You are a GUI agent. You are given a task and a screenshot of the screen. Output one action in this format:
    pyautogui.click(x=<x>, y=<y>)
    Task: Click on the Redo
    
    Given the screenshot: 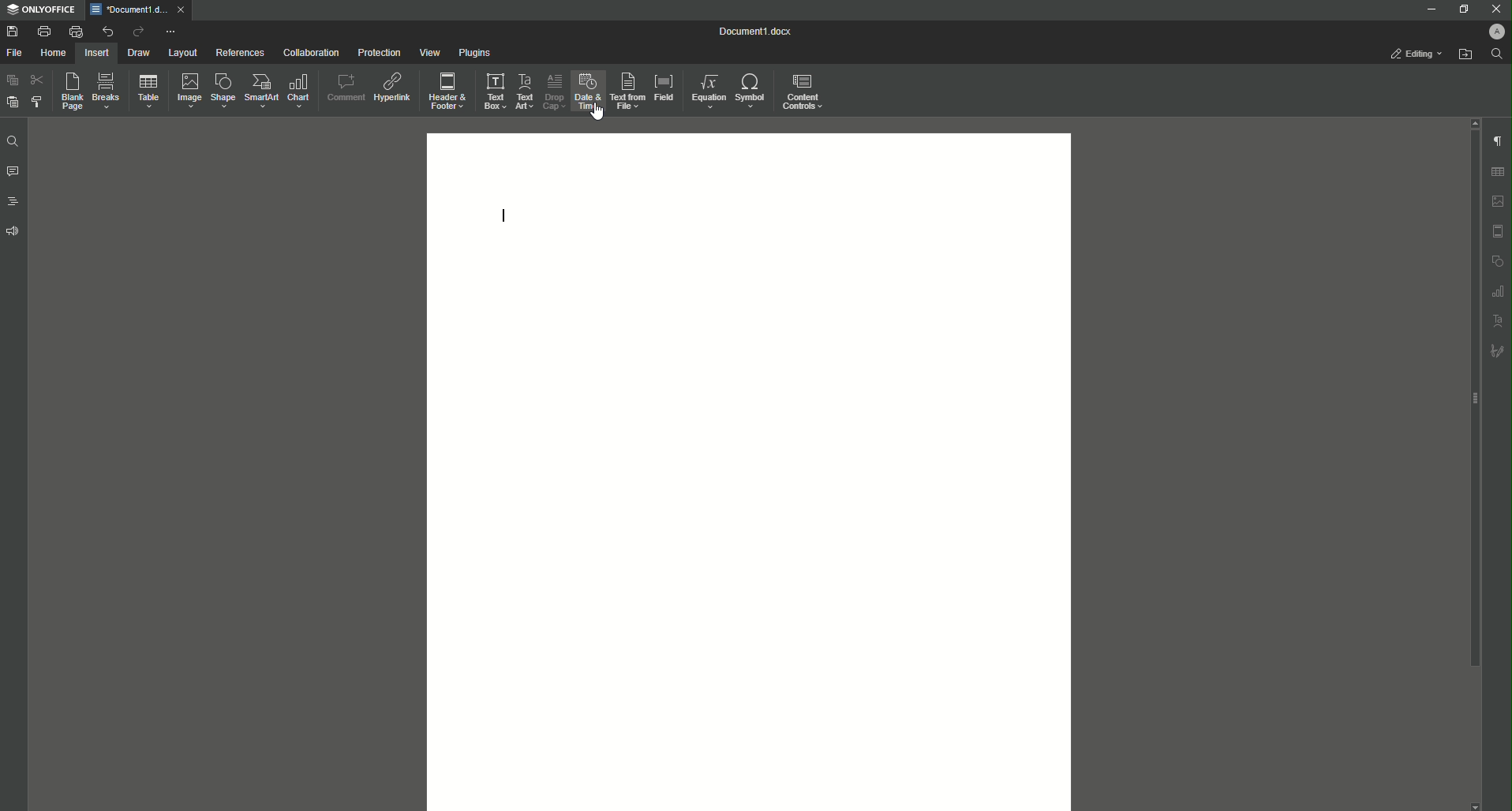 What is the action you would take?
    pyautogui.click(x=136, y=32)
    